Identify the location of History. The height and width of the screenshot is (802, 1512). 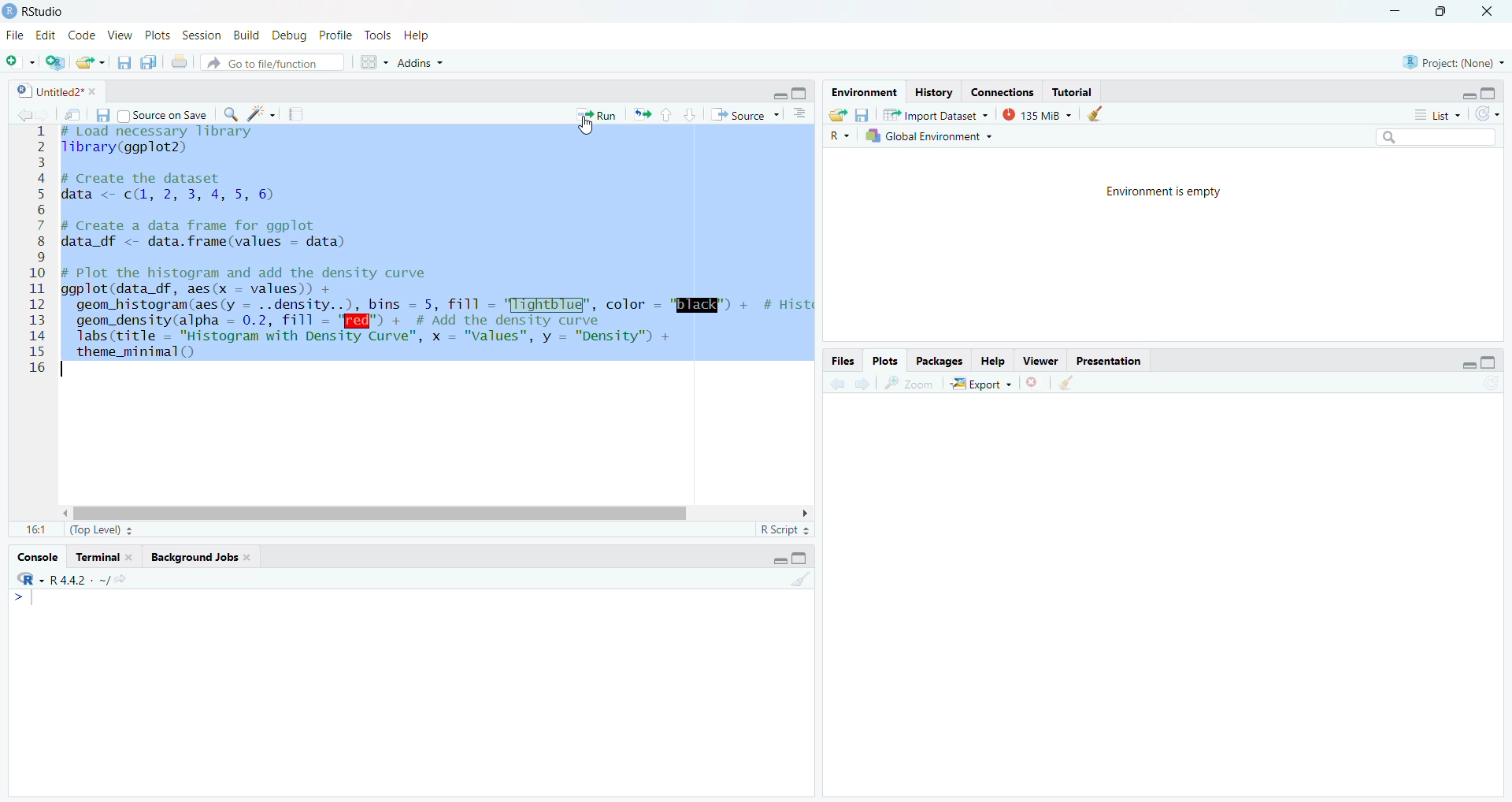
(935, 89).